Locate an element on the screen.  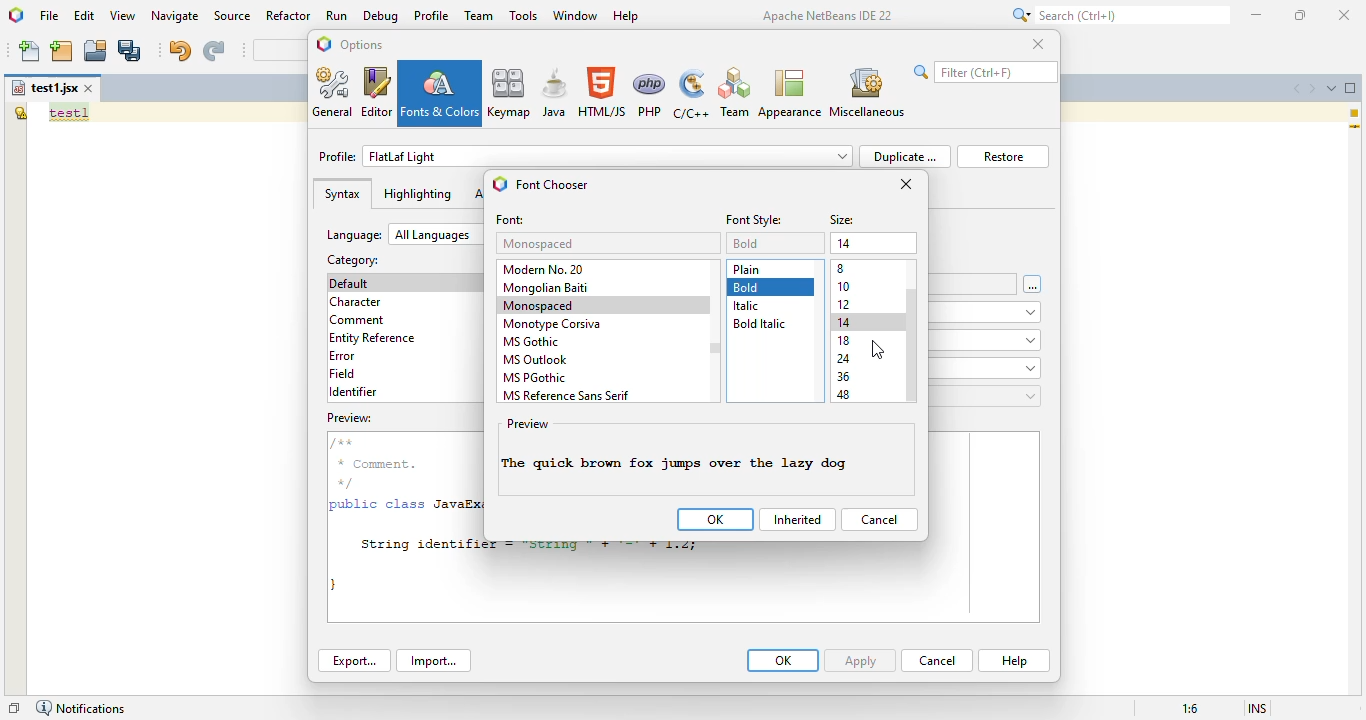
tools is located at coordinates (523, 16).